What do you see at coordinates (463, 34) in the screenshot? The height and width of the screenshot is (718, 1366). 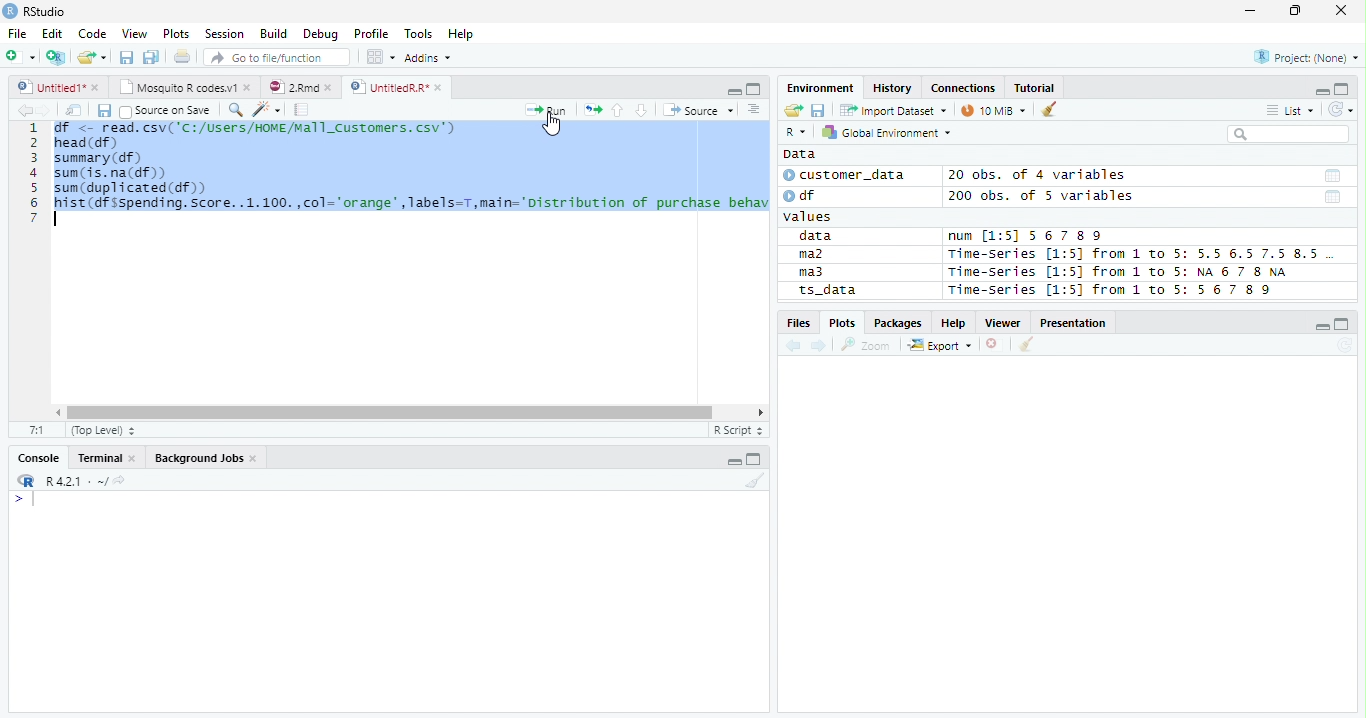 I see `Help` at bounding box center [463, 34].